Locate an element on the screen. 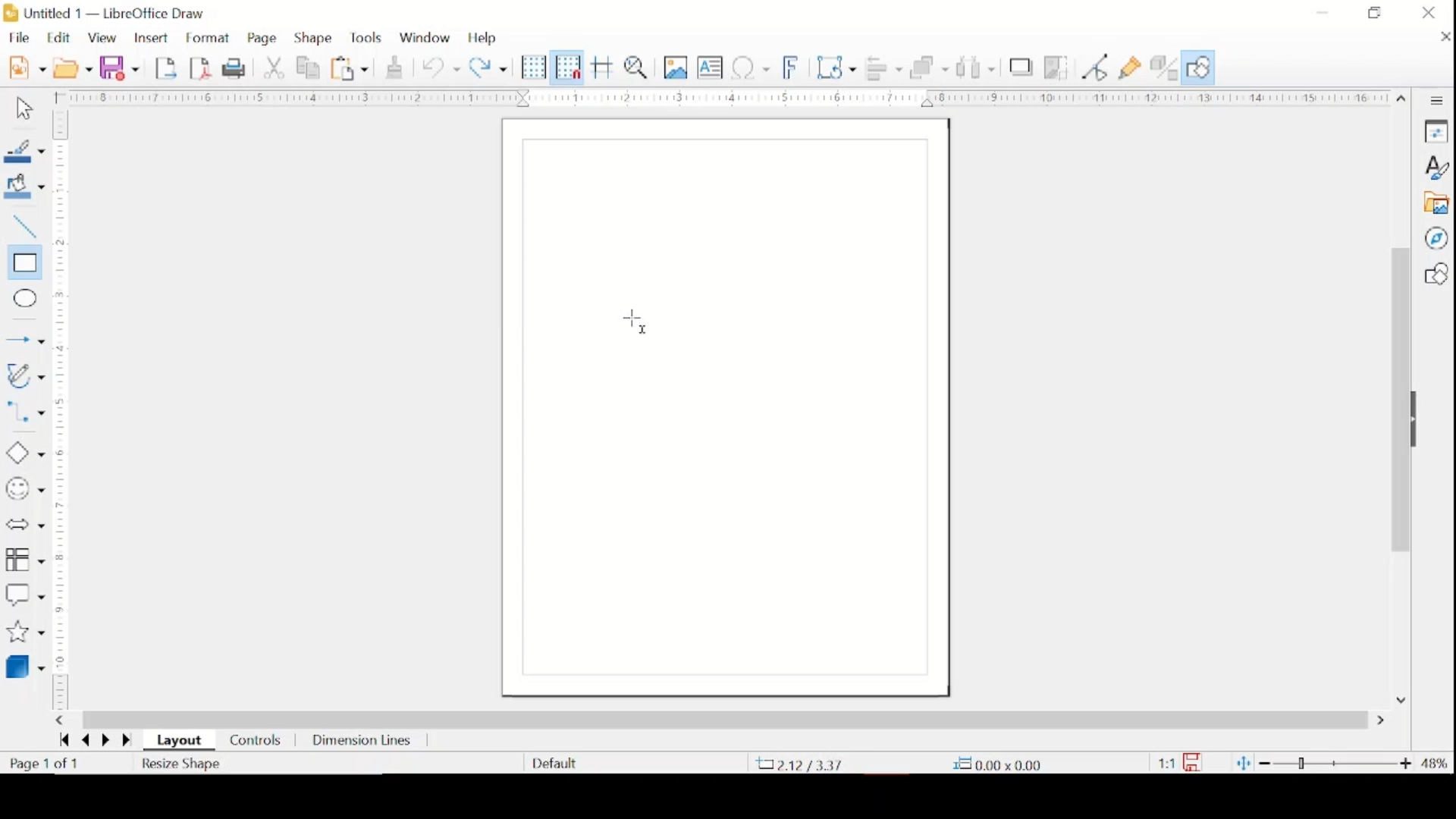 The width and height of the screenshot is (1456, 819). close is located at coordinates (1442, 36).